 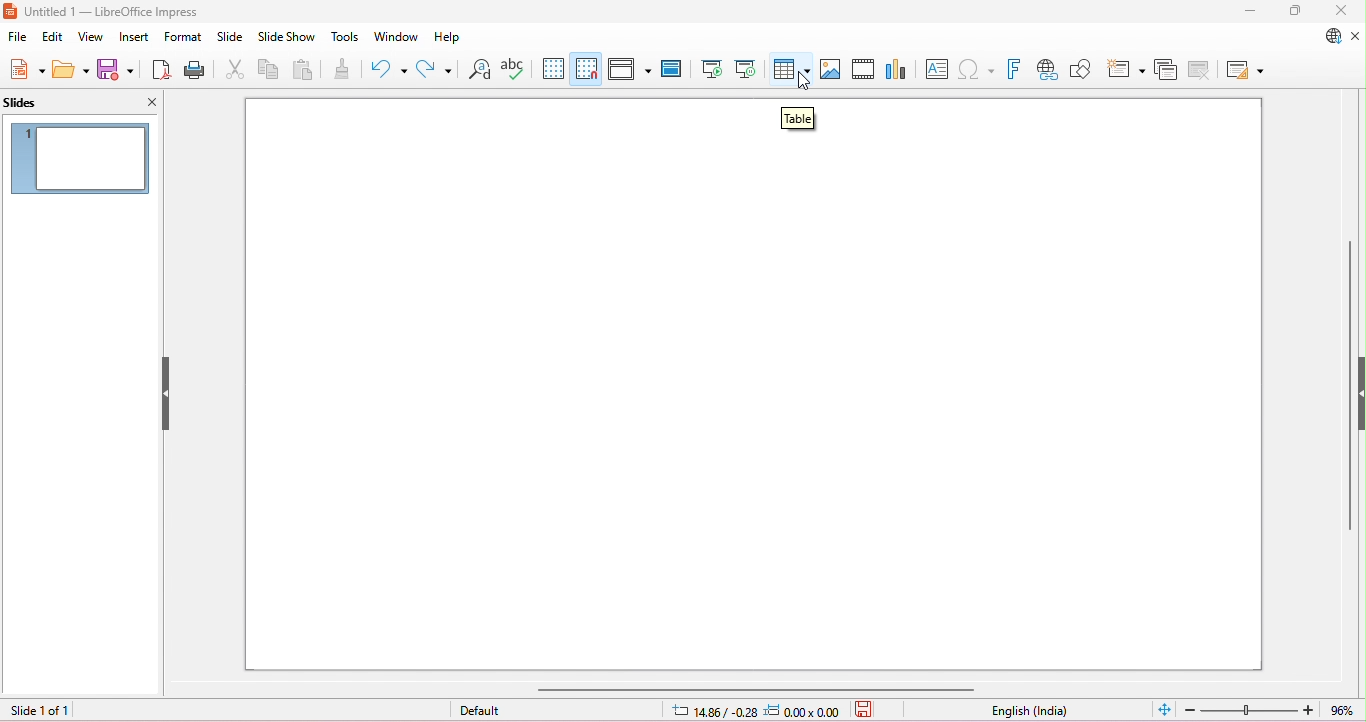 What do you see at coordinates (632, 69) in the screenshot?
I see `display views` at bounding box center [632, 69].